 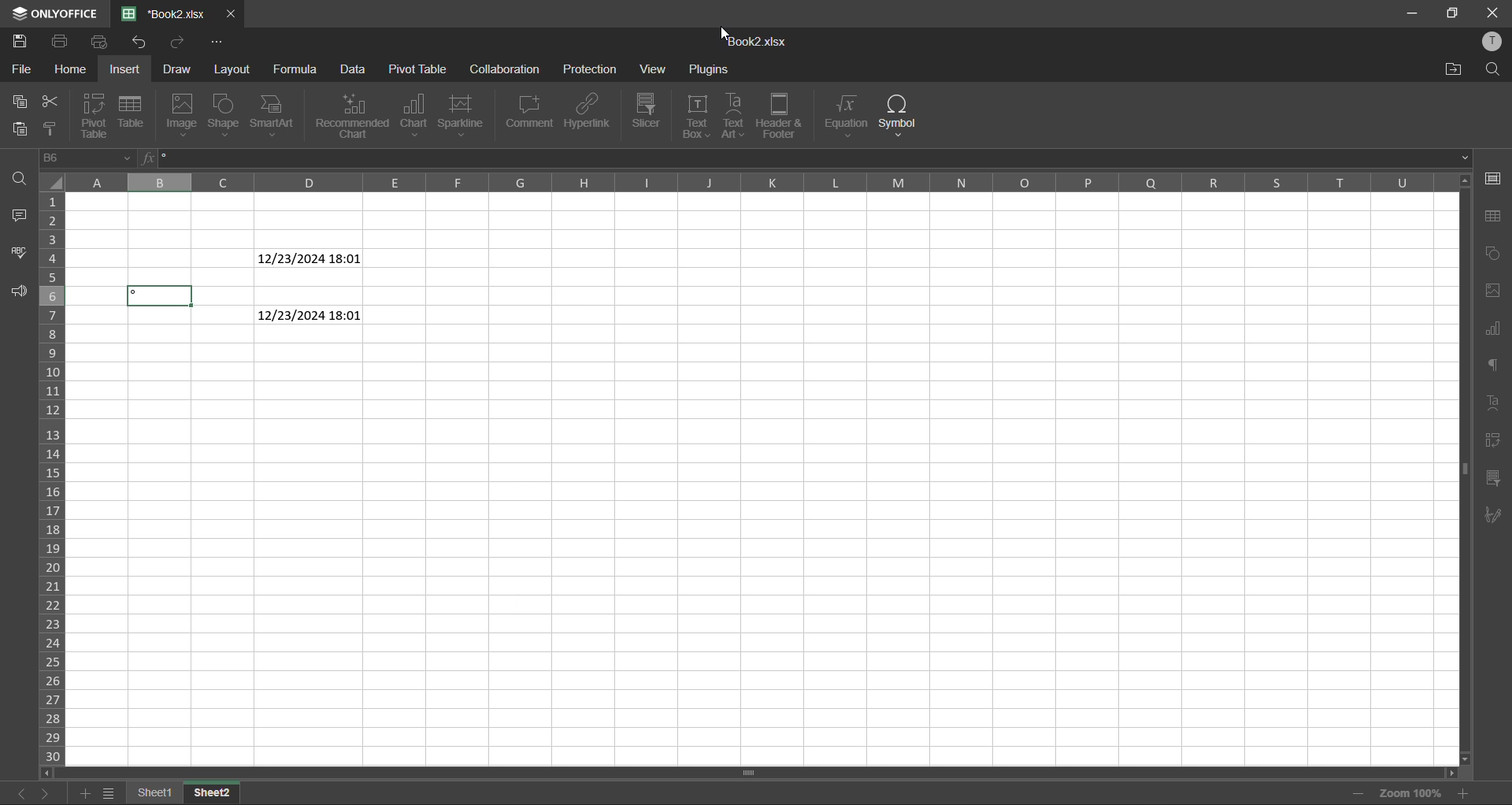 I want to click on book2.xlsx, so click(x=756, y=46).